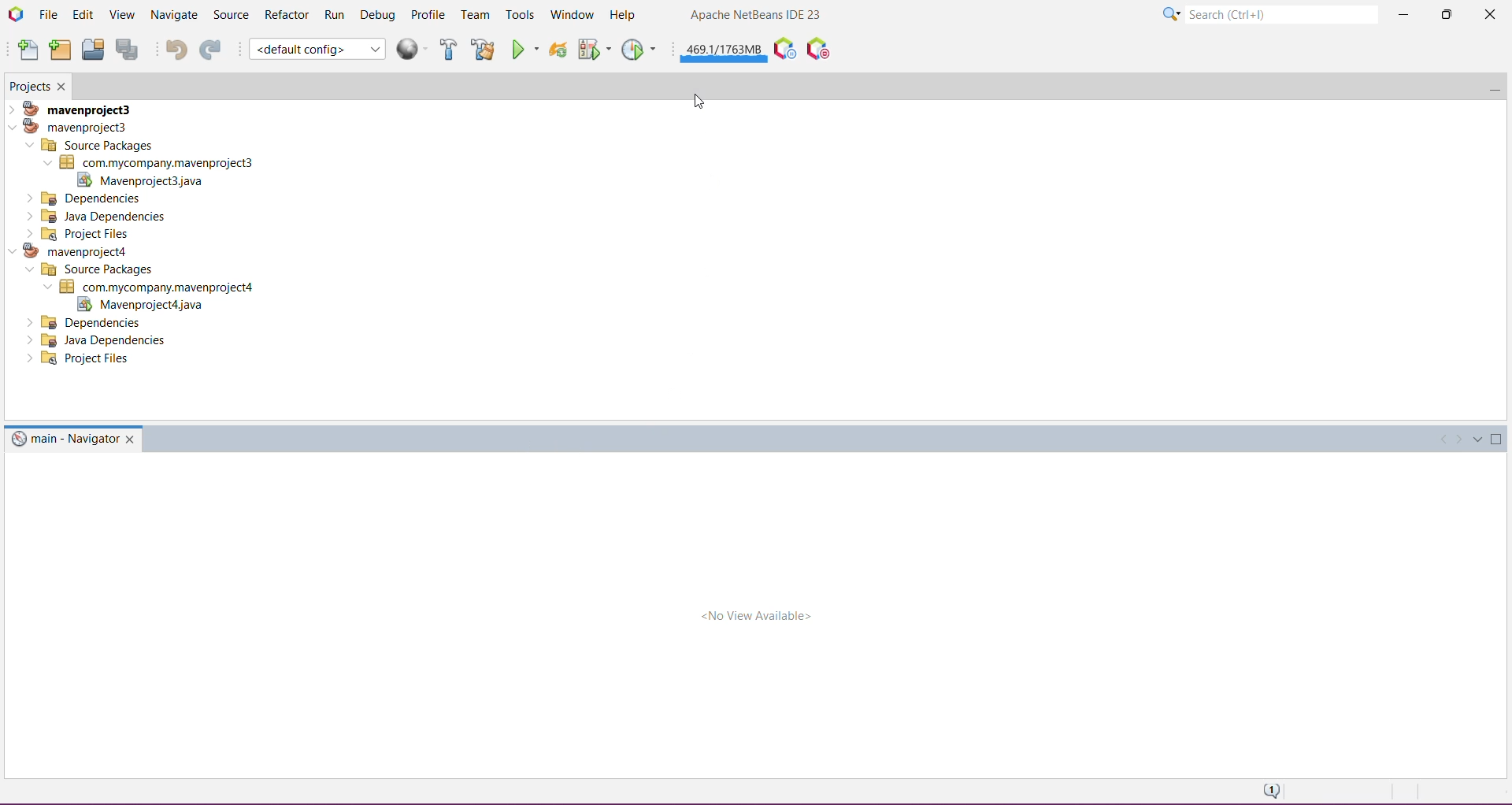 Image resolution: width=1512 pixels, height=805 pixels. I want to click on Run, so click(335, 14).